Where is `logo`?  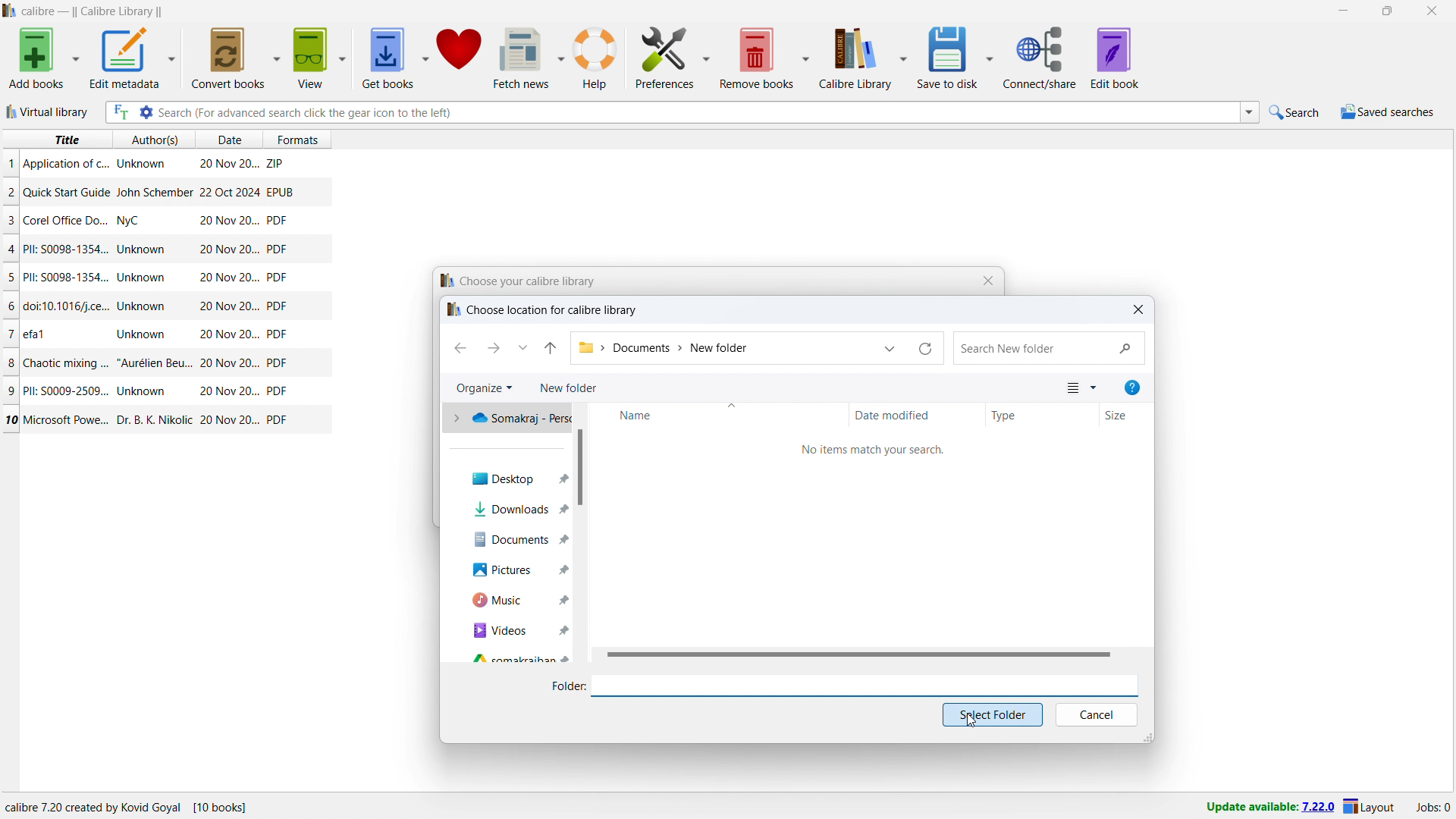
logo is located at coordinates (10, 11).